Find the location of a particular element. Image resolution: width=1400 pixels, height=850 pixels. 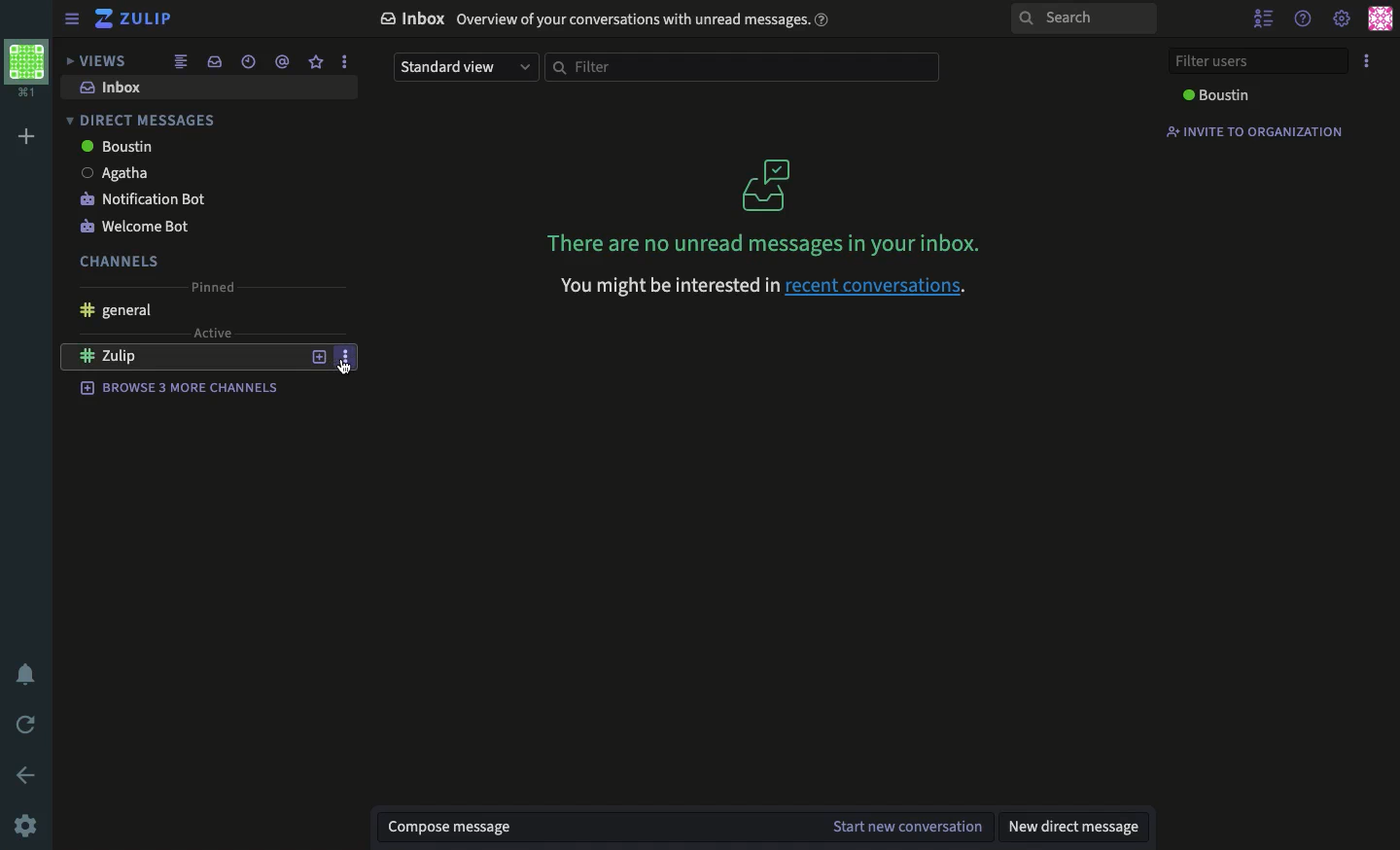

combined feed is located at coordinates (182, 61).